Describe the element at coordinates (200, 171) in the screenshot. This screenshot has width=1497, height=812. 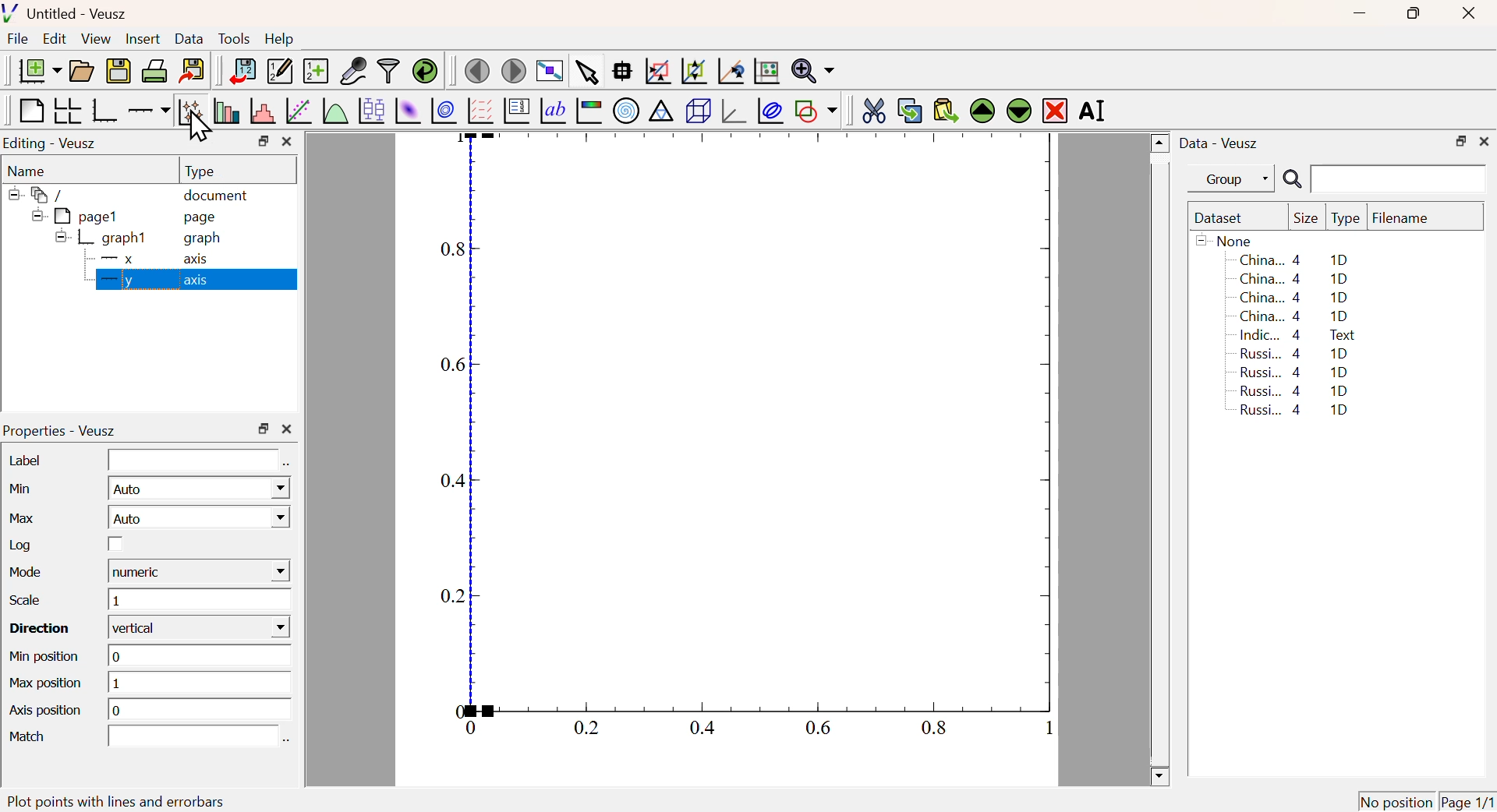
I see `Type` at that location.